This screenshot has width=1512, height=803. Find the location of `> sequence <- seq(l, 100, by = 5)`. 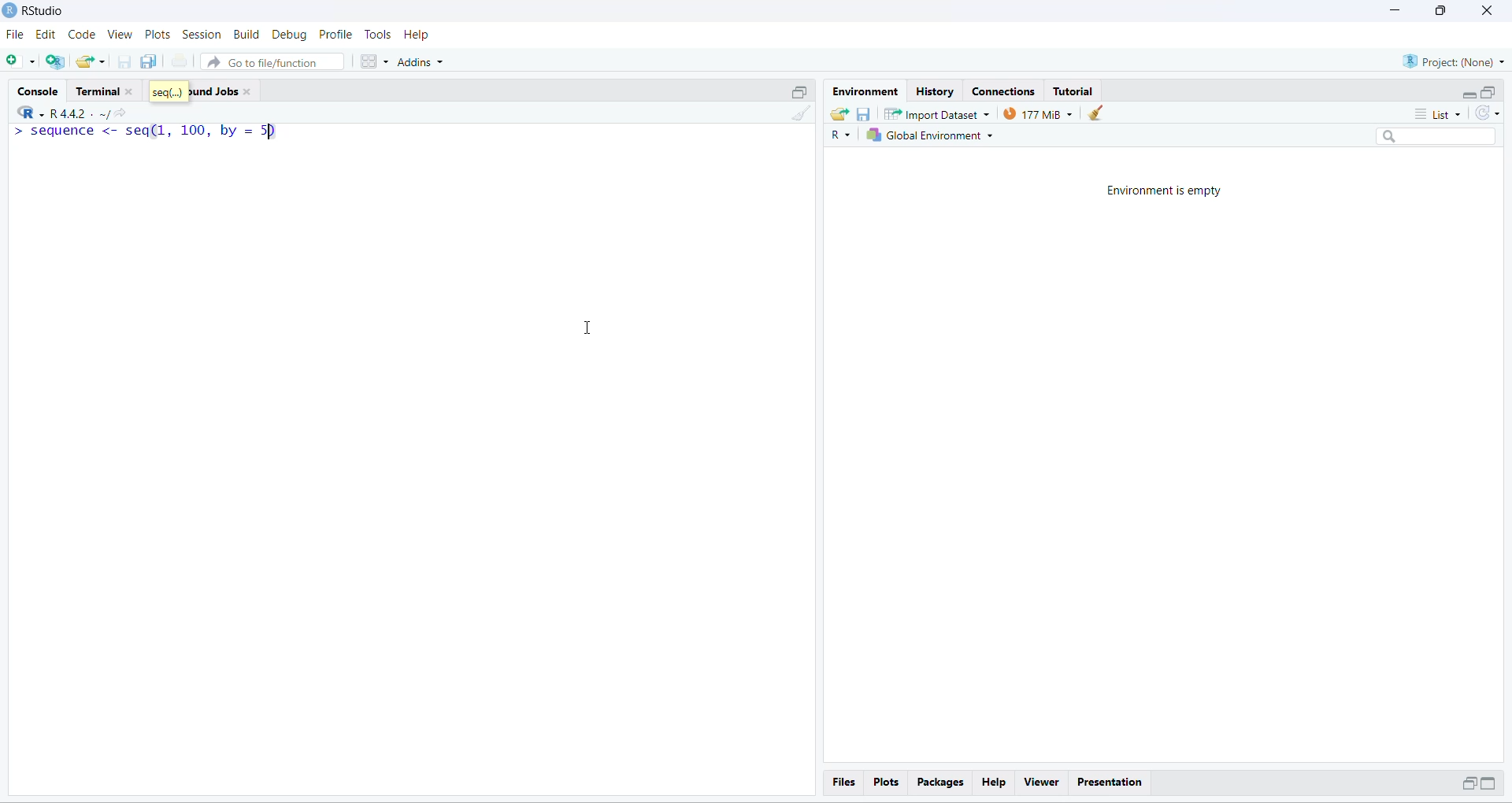

> sequence <- seq(l, 100, by = 5) is located at coordinates (145, 132).